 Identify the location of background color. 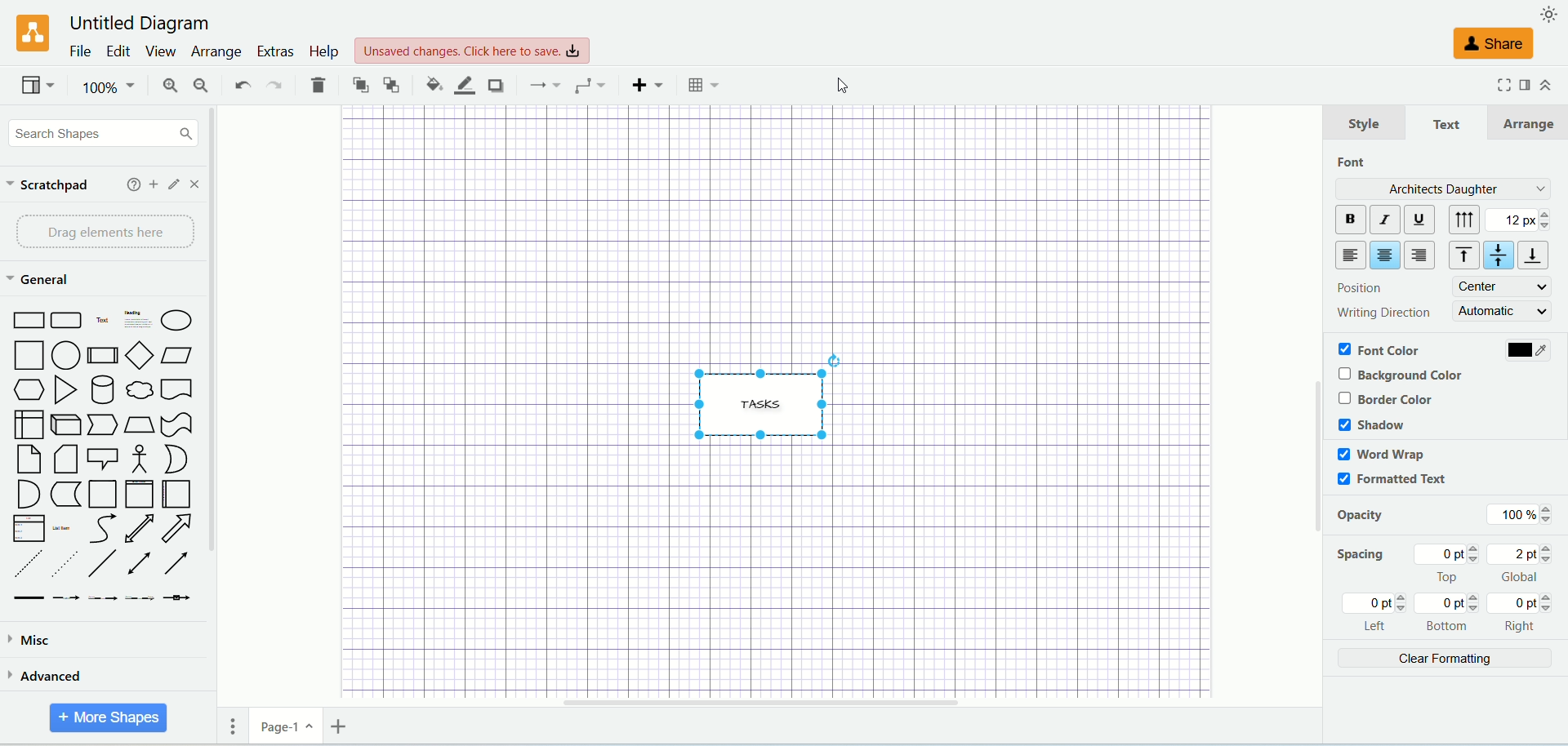
(1405, 374).